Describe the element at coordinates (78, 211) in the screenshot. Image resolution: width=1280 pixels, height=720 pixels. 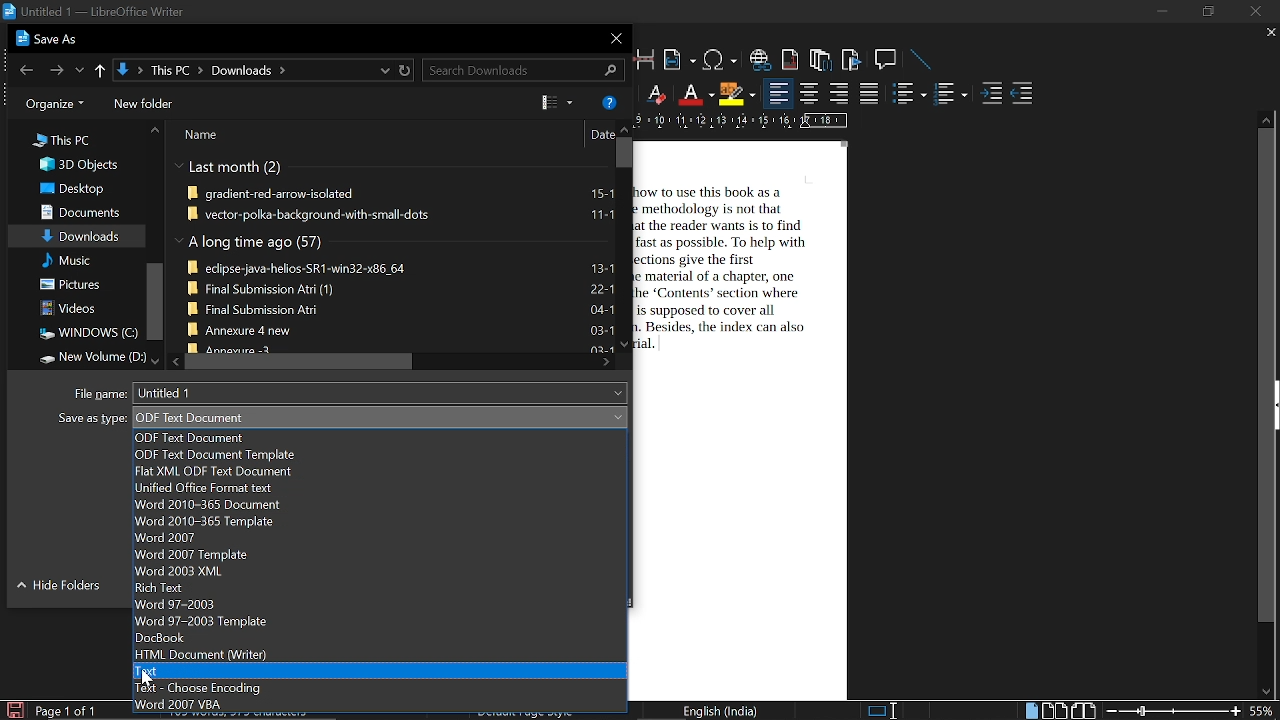
I see `Documents` at that location.